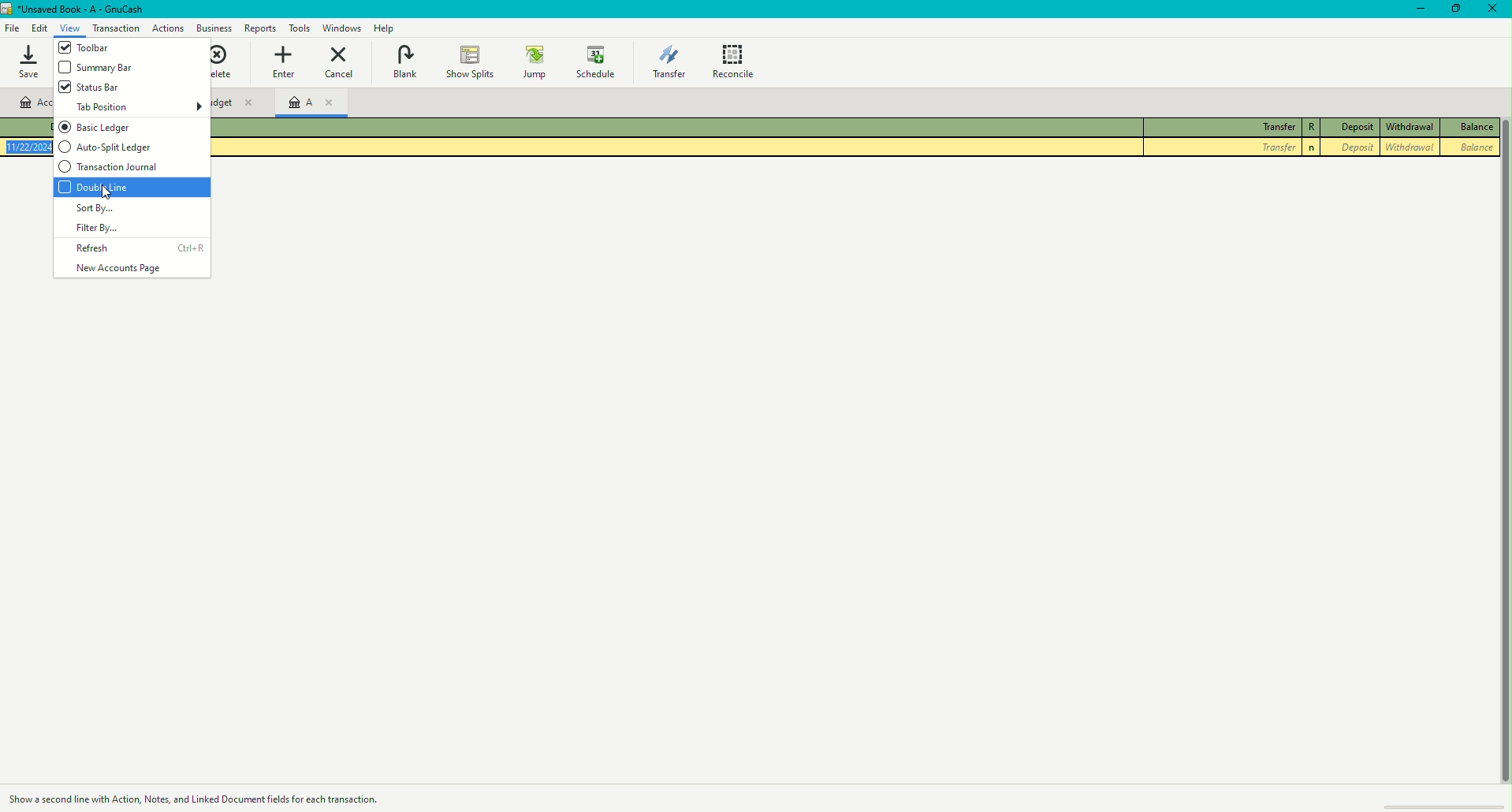 The width and height of the screenshot is (1512, 812). What do you see at coordinates (1415, 9) in the screenshot?
I see `Minimize` at bounding box center [1415, 9].